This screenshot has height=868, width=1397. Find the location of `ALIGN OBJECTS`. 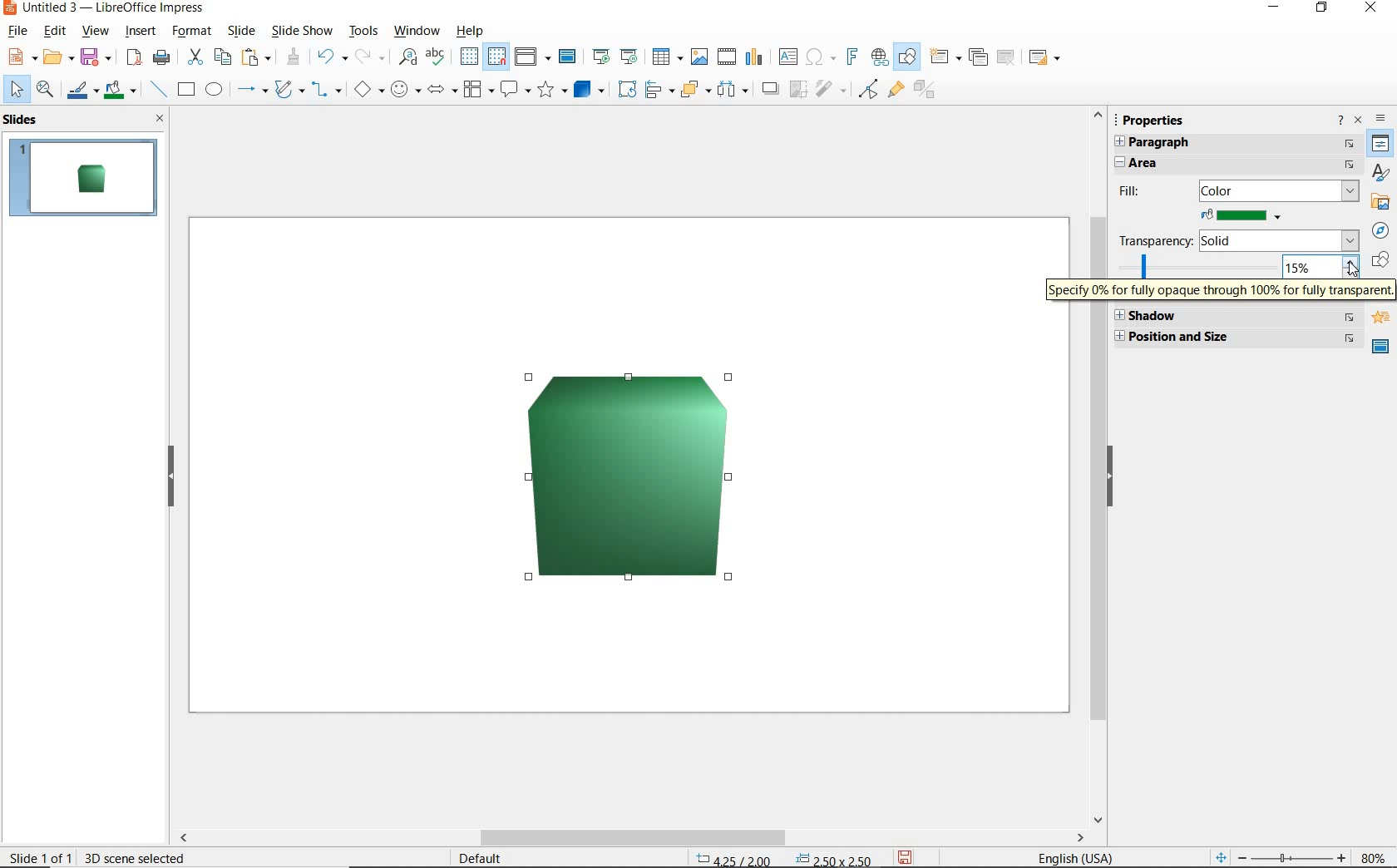

ALIGN OBJECTS is located at coordinates (659, 91).